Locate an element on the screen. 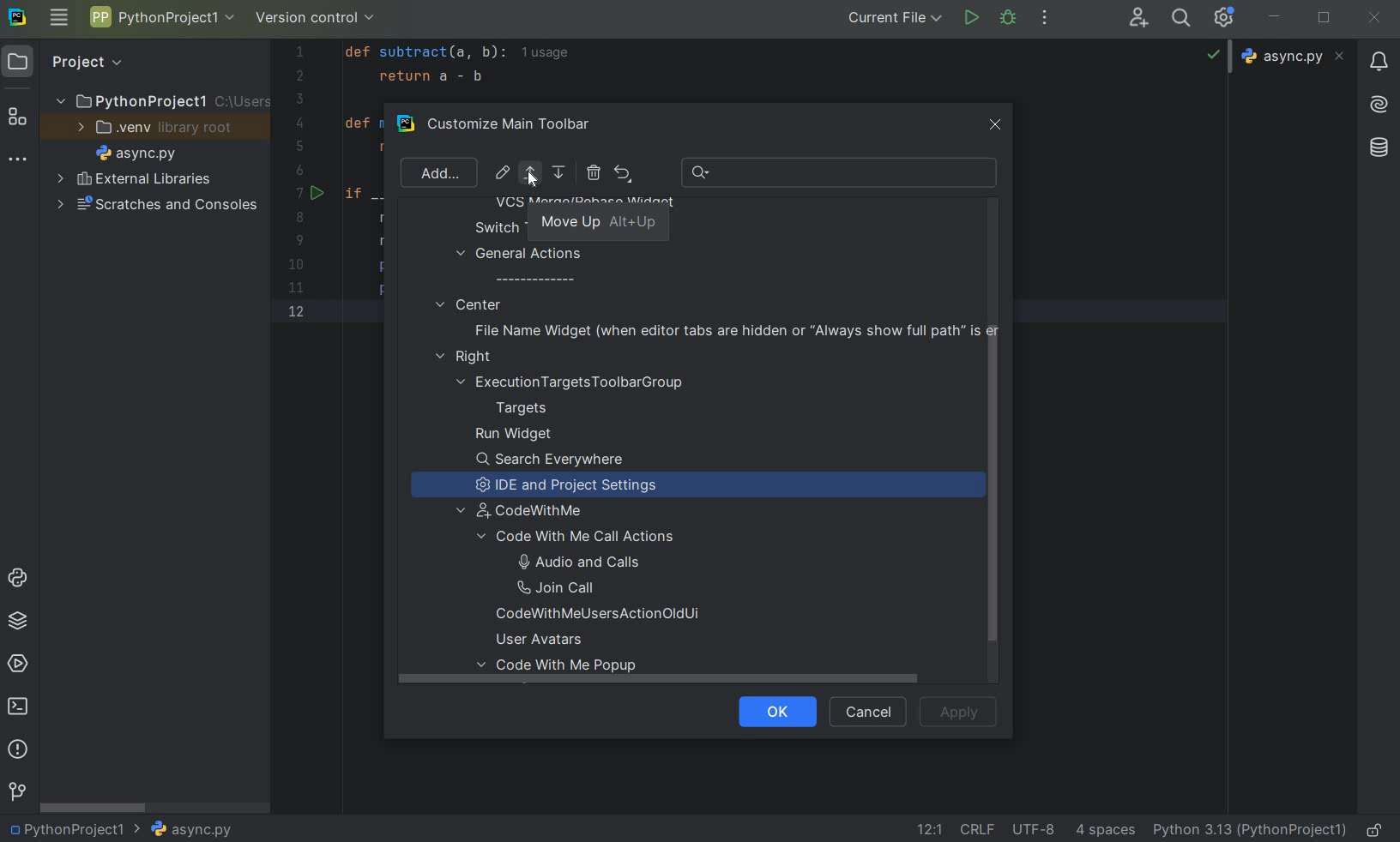 Image resolution: width=1400 pixels, height=842 pixels. search everywhere is located at coordinates (551, 460).